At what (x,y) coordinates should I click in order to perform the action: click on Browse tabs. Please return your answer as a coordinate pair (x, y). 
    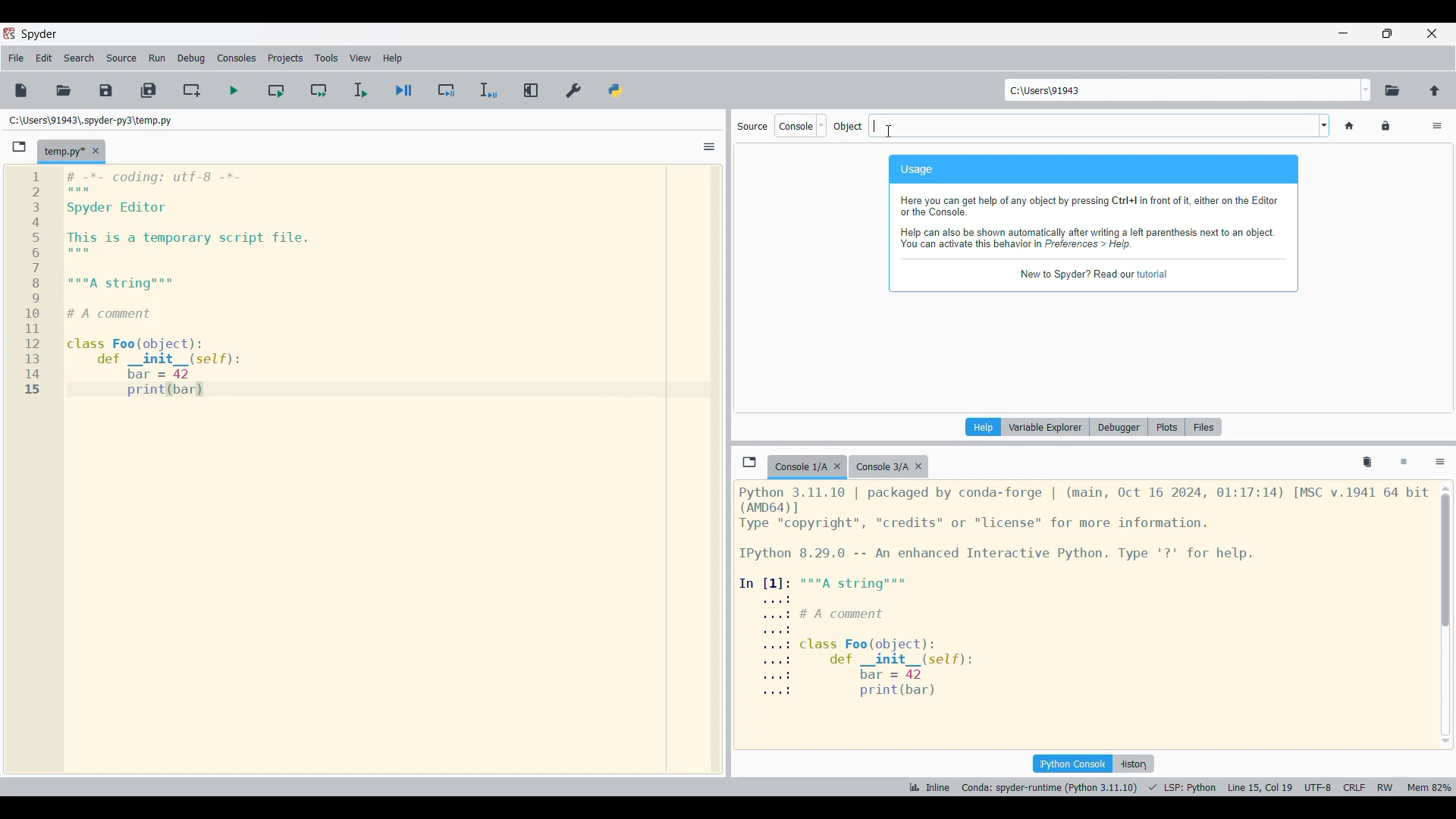
    Looking at the image, I should click on (20, 147).